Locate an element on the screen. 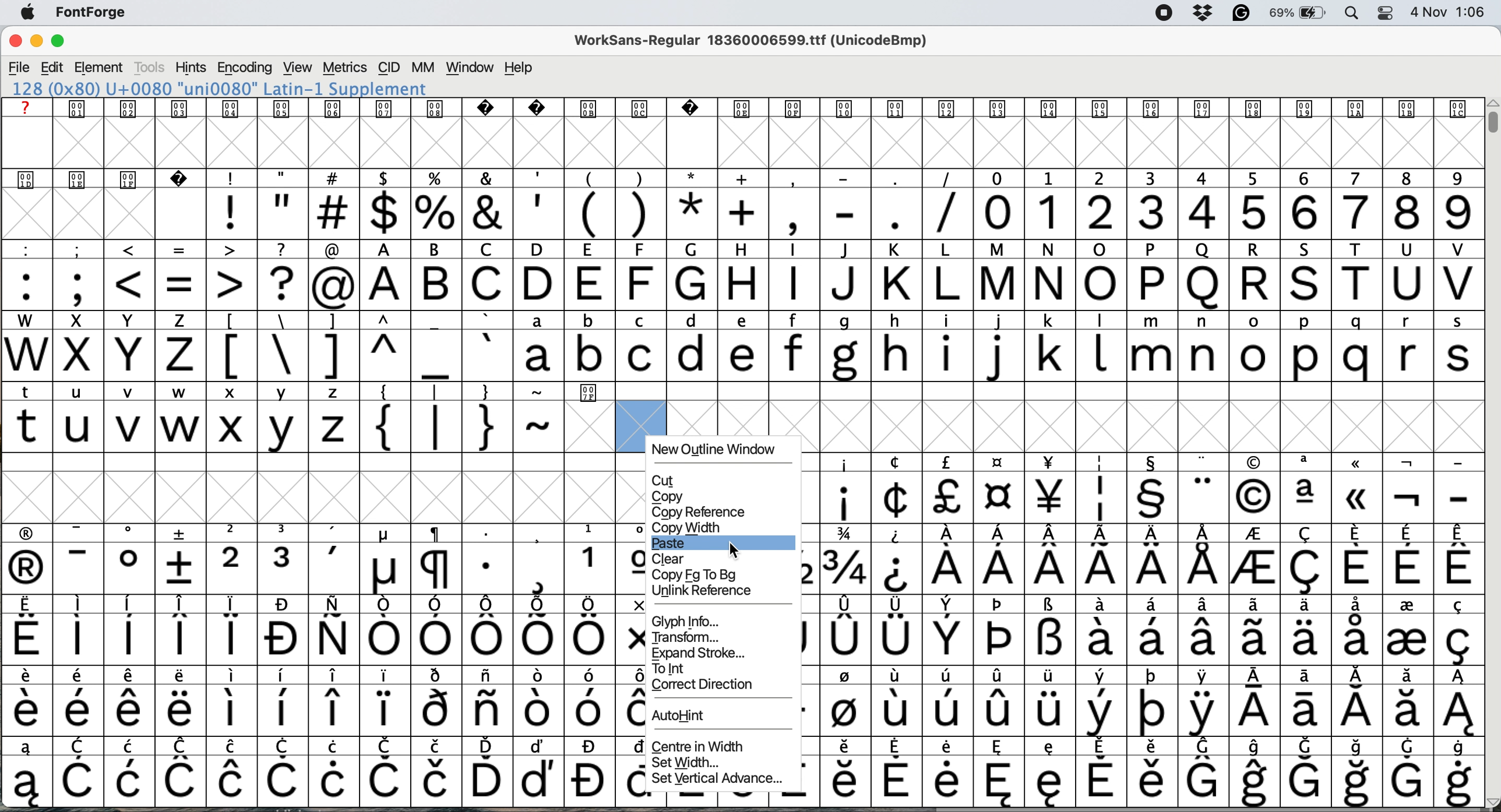 This screenshot has height=812, width=1501. CUT is located at coordinates (667, 481).